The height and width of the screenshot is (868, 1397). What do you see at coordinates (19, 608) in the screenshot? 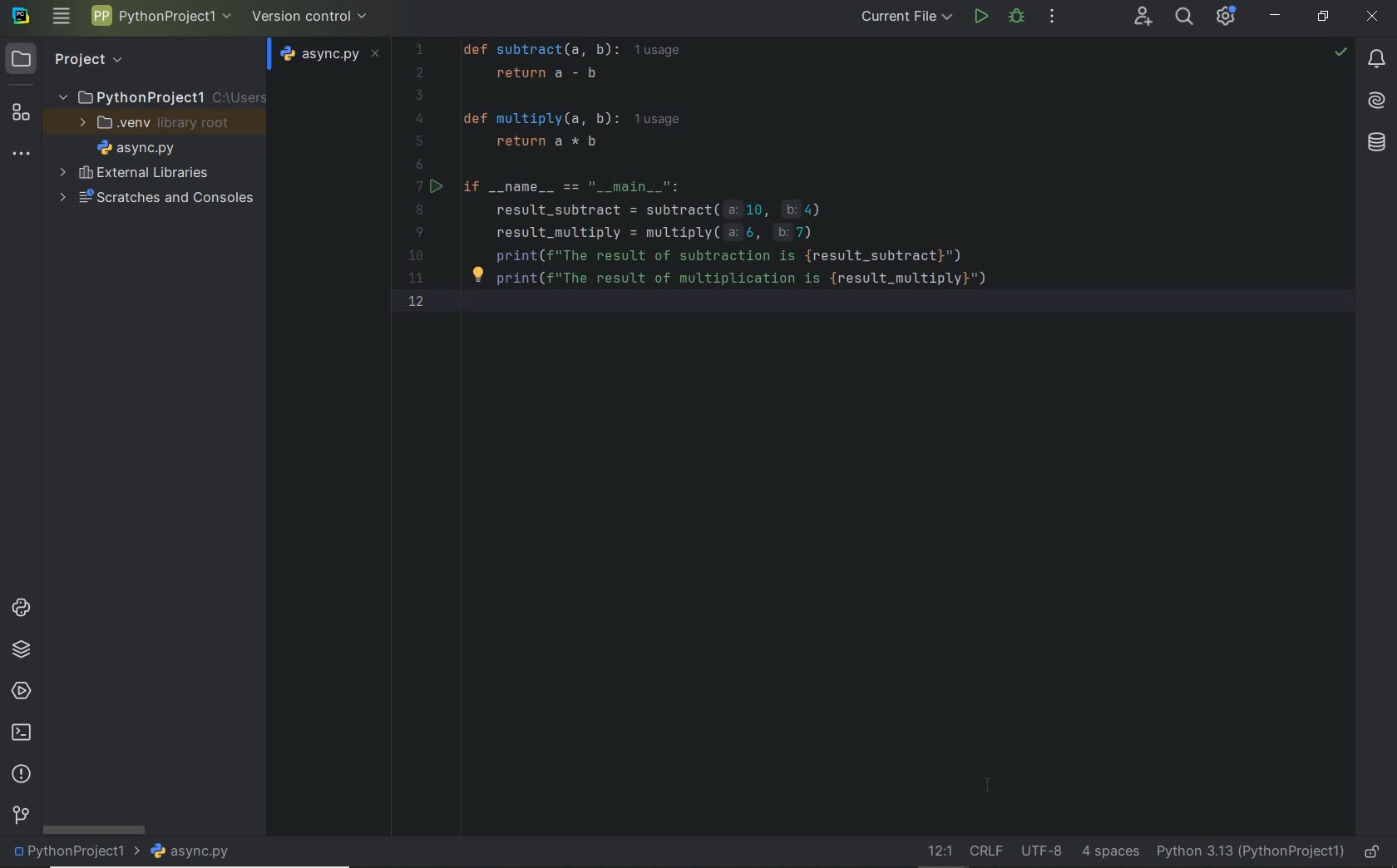
I see `python consoles` at bounding box center [19, 608].